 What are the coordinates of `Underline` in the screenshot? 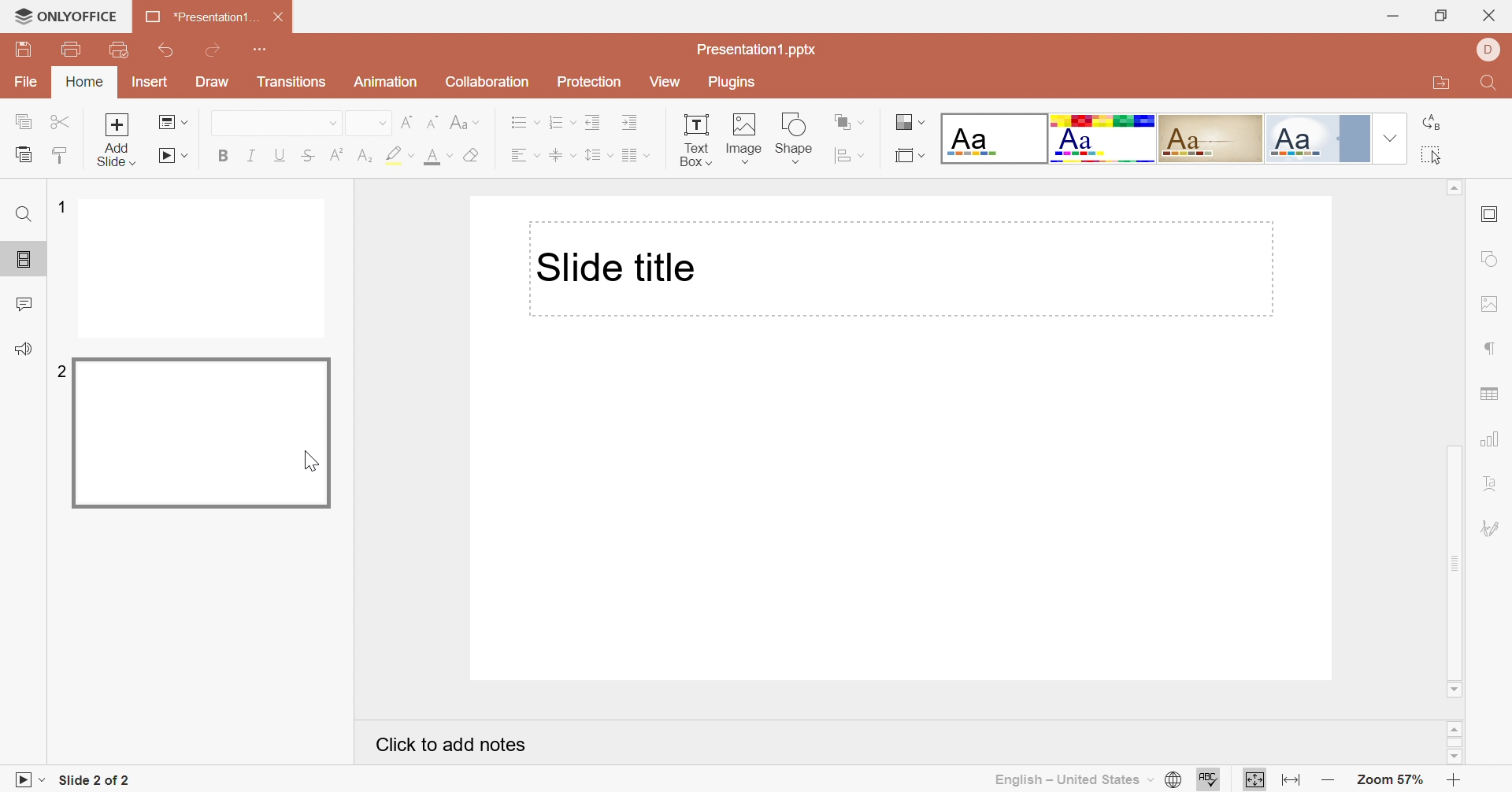 It's located at (279, 155).